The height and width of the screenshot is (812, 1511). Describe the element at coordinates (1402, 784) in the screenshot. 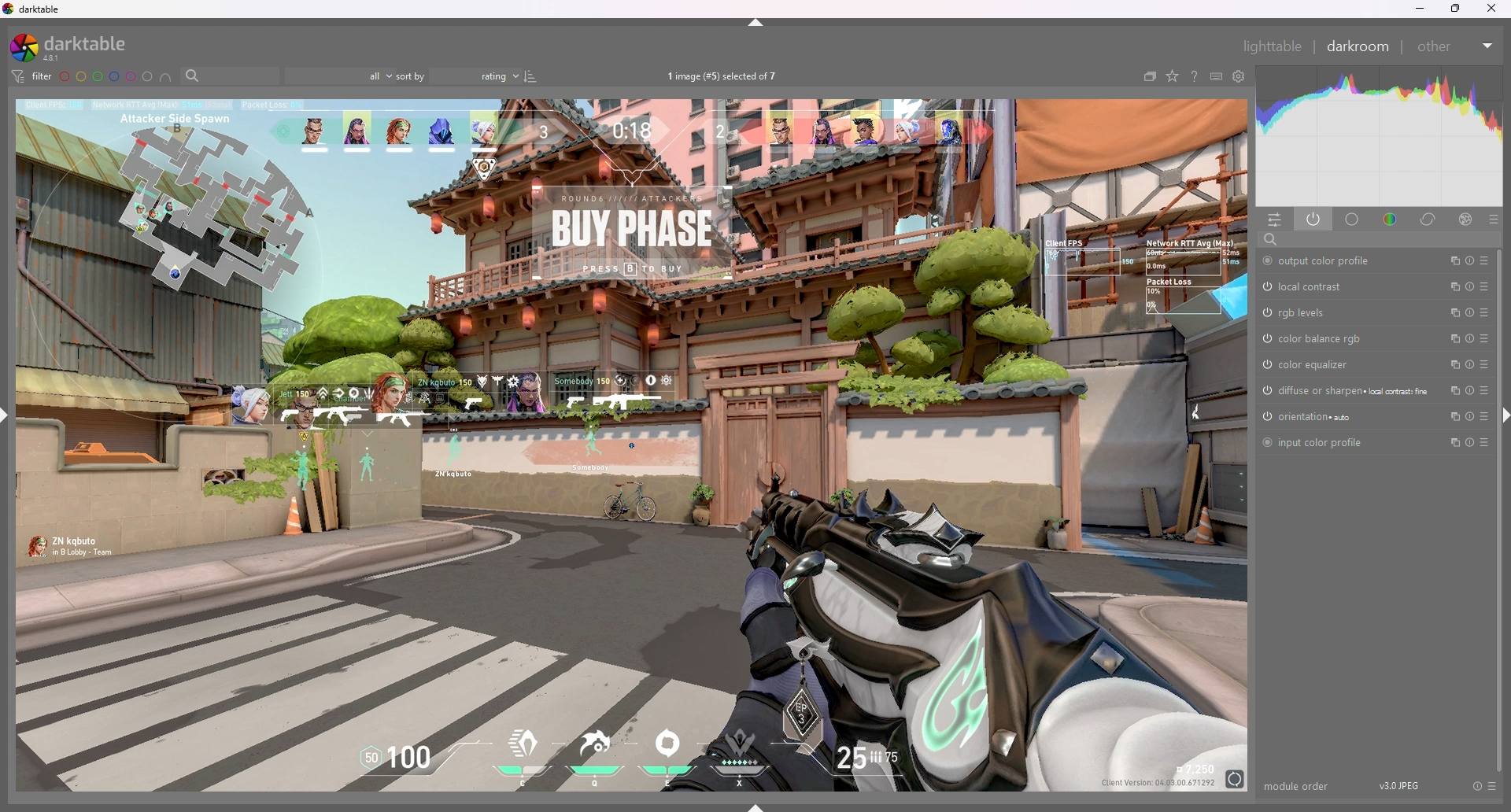

I see `version` at that location.